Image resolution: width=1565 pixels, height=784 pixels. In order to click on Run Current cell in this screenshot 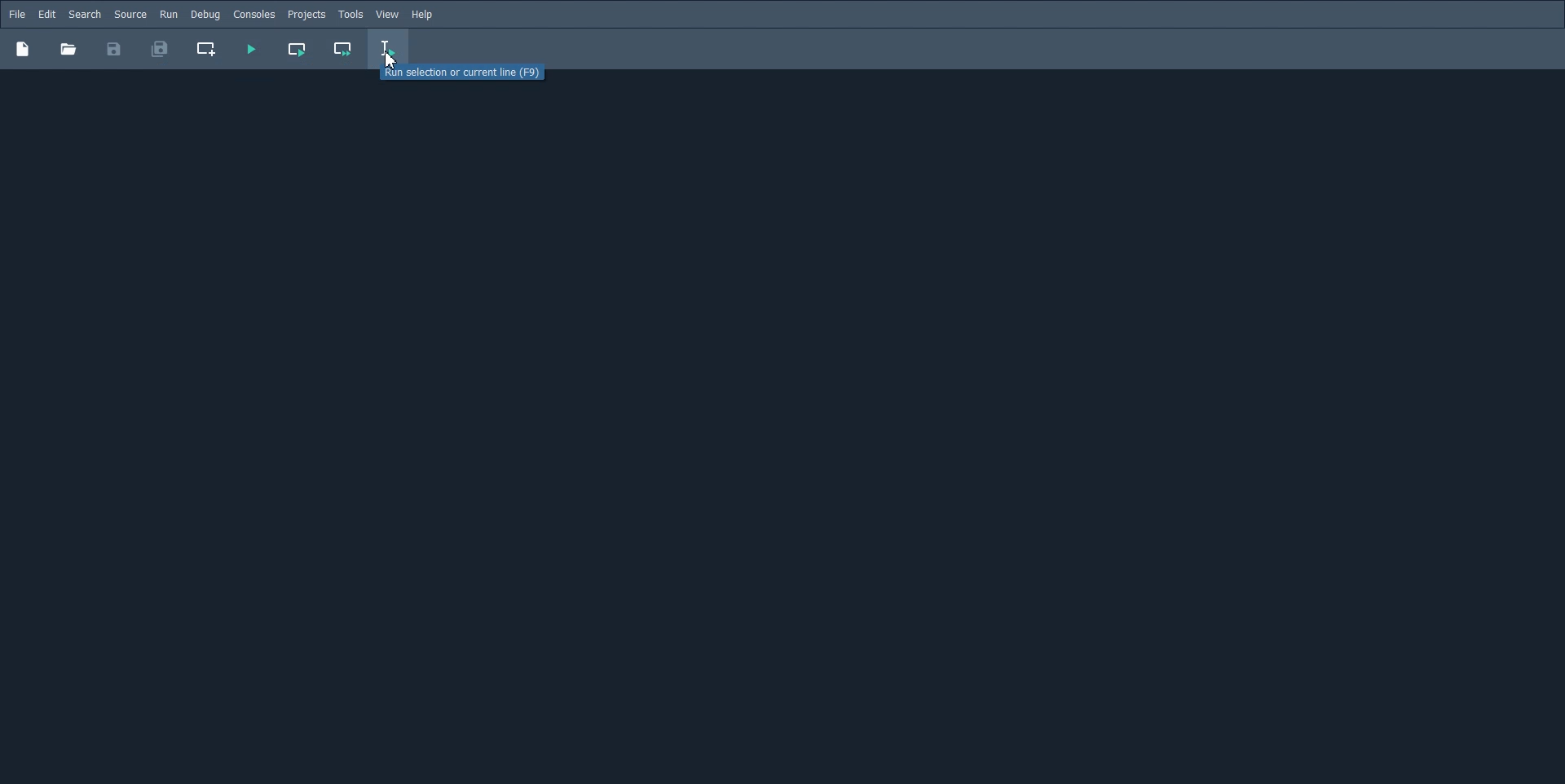, I will do `click(296, 49)`.